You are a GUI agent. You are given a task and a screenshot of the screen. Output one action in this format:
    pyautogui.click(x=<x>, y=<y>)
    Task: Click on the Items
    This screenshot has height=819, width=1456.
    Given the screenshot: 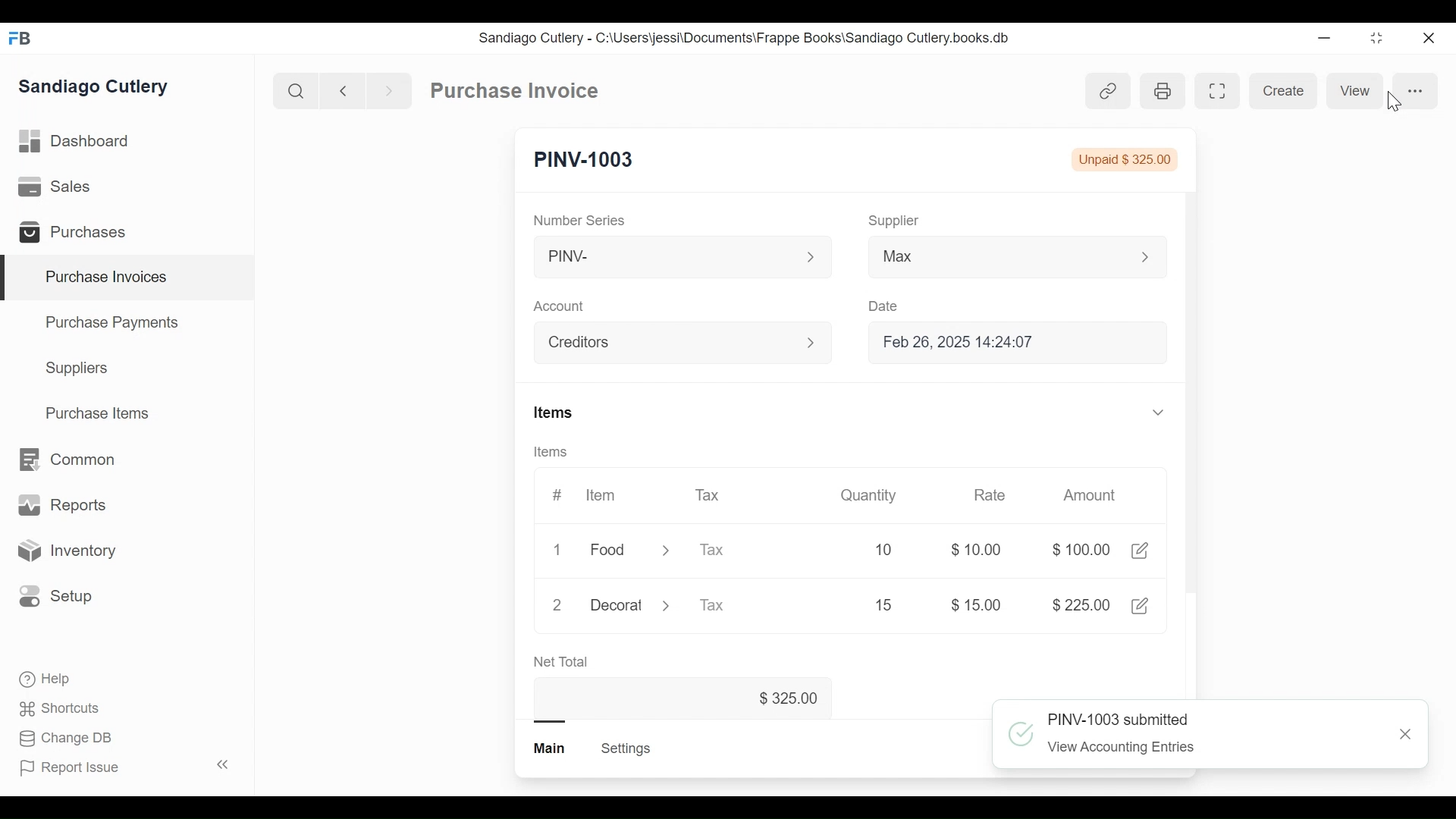 What is the action you would take?
    pyautogui.click(x=551, y=452)
    